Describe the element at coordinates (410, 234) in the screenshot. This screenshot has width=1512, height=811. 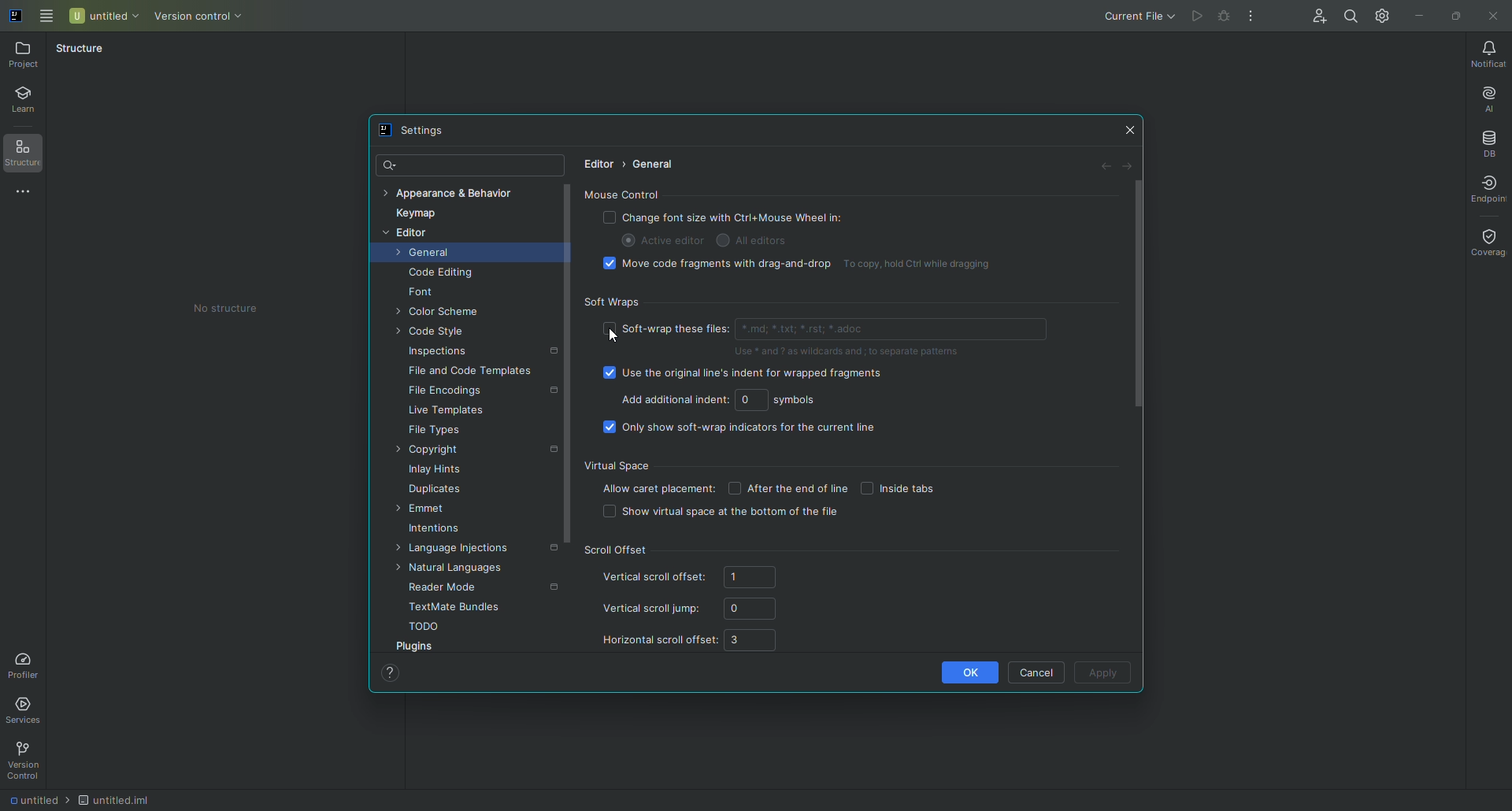
I see `Editor` at that location.